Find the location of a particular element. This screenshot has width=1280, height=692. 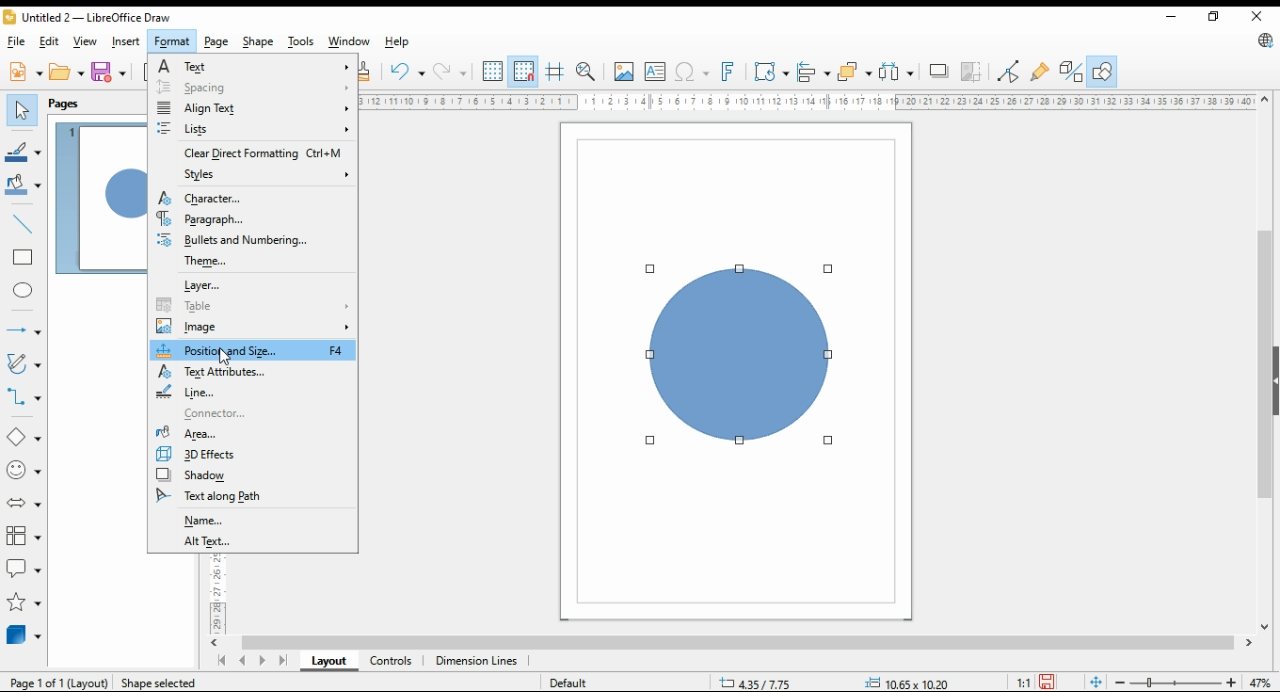

arrange is located at coordinates (854, 71).